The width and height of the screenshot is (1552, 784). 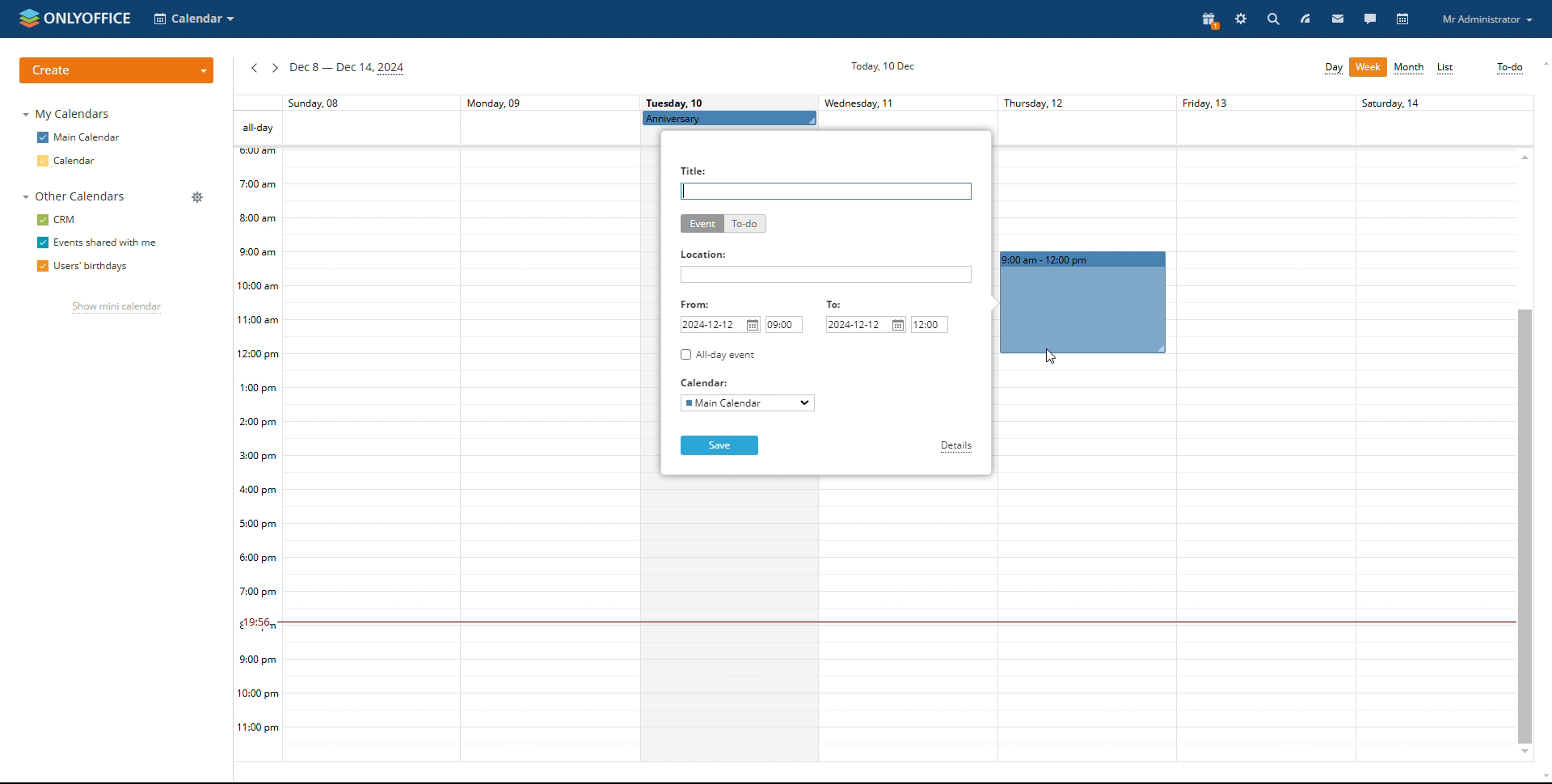 What do you see at coordinates (930, 324) in the screenshot?
I see `end time` at bounding box center [930, 324].